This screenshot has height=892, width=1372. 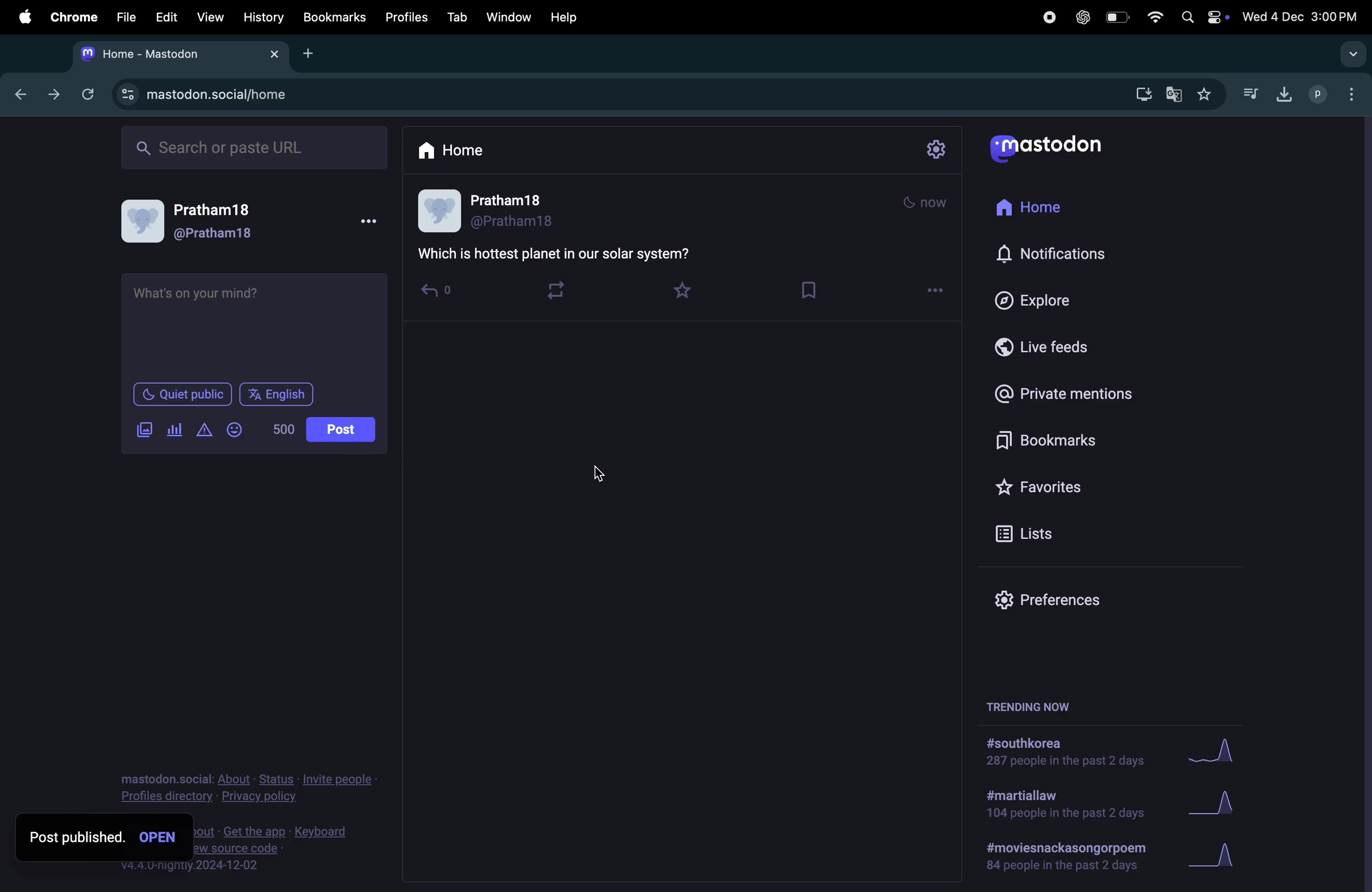 I want to click on favourites, so click(x=684, y=289).